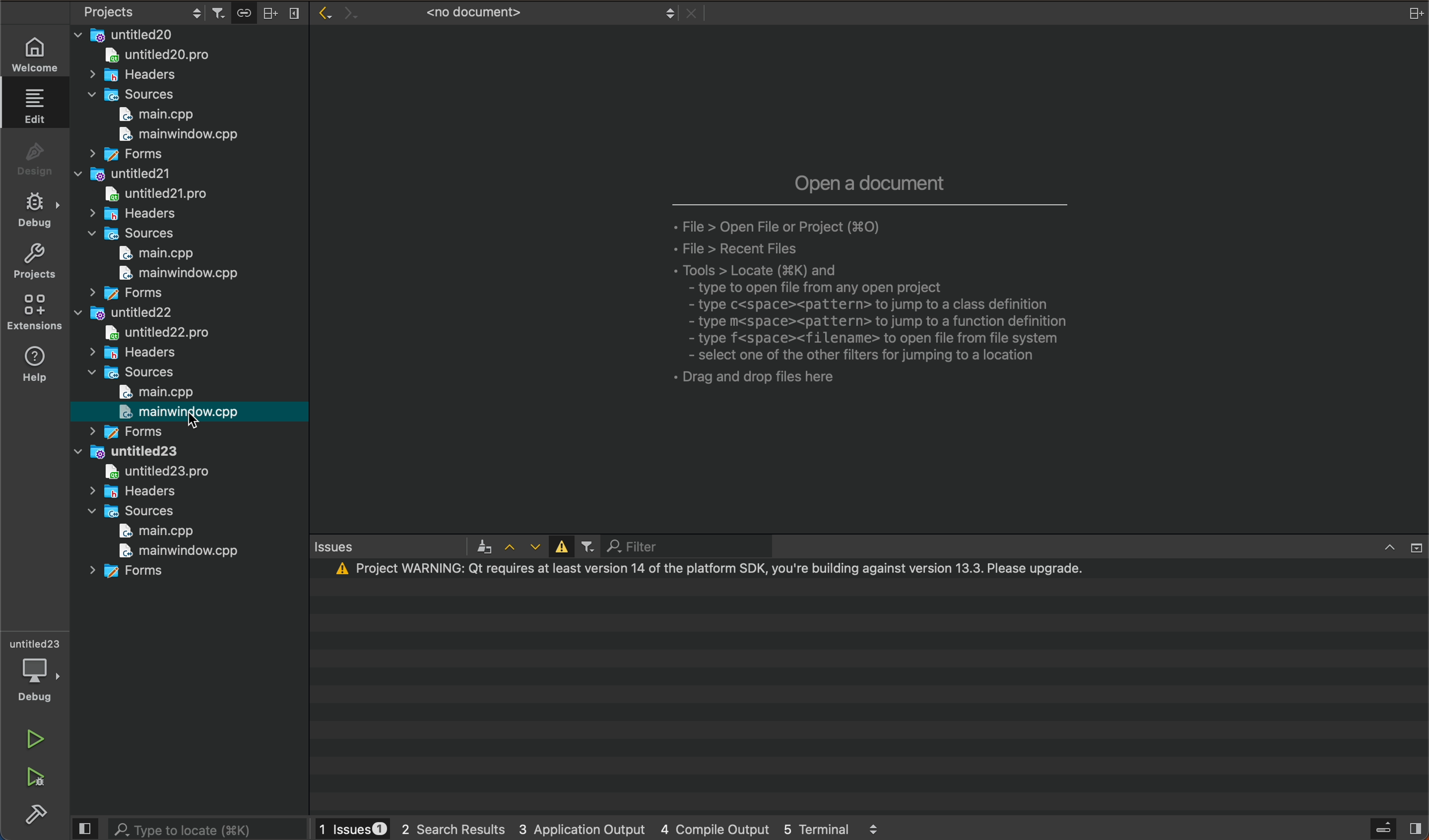 This screenshot has height=840, width=1429. Describe the element at coordinates (137, 75) in the screenshot. I see `headers` at that location.